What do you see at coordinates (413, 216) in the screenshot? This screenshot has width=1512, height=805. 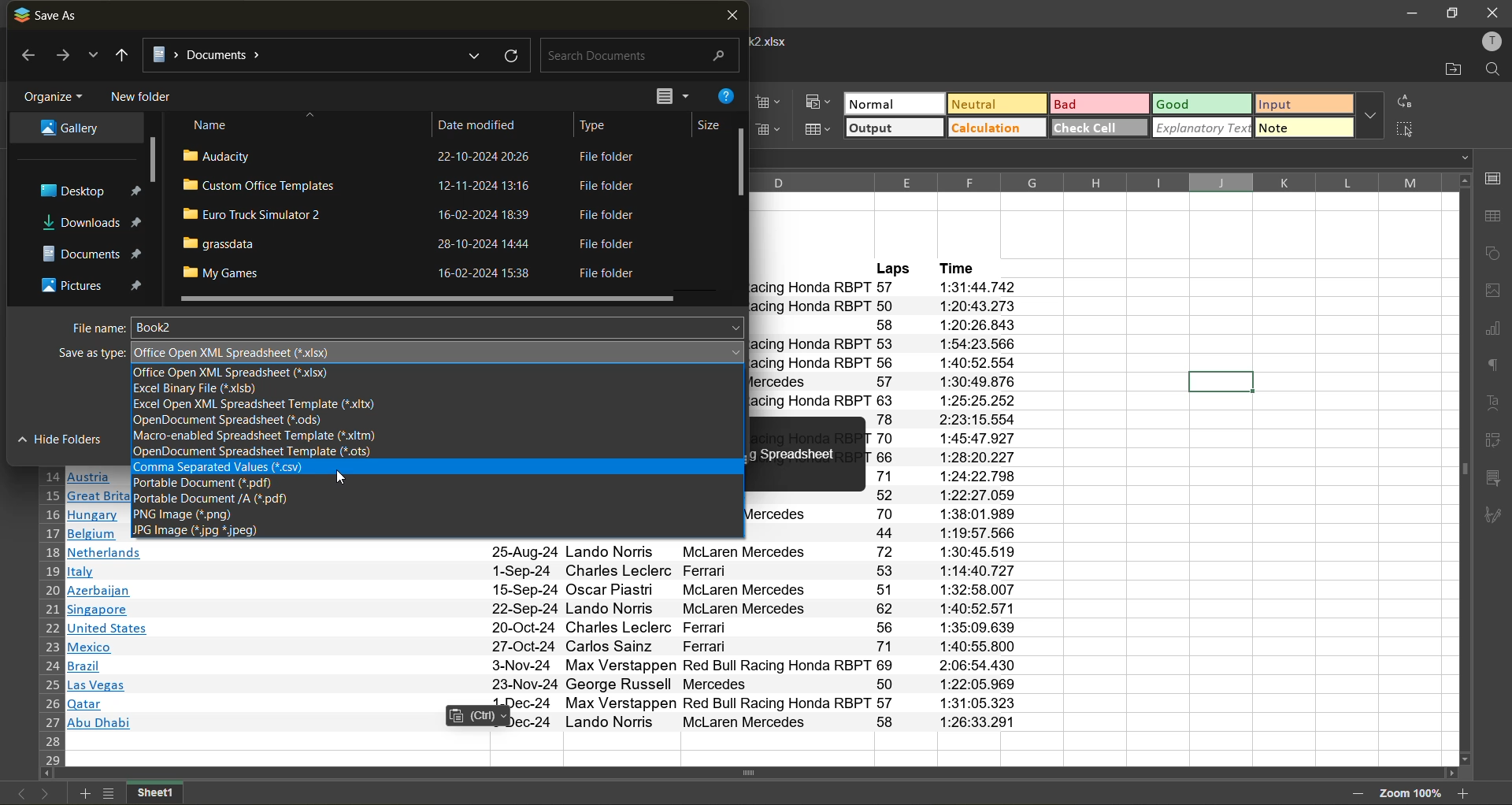 I see `file` at bounding box center [413, 216].